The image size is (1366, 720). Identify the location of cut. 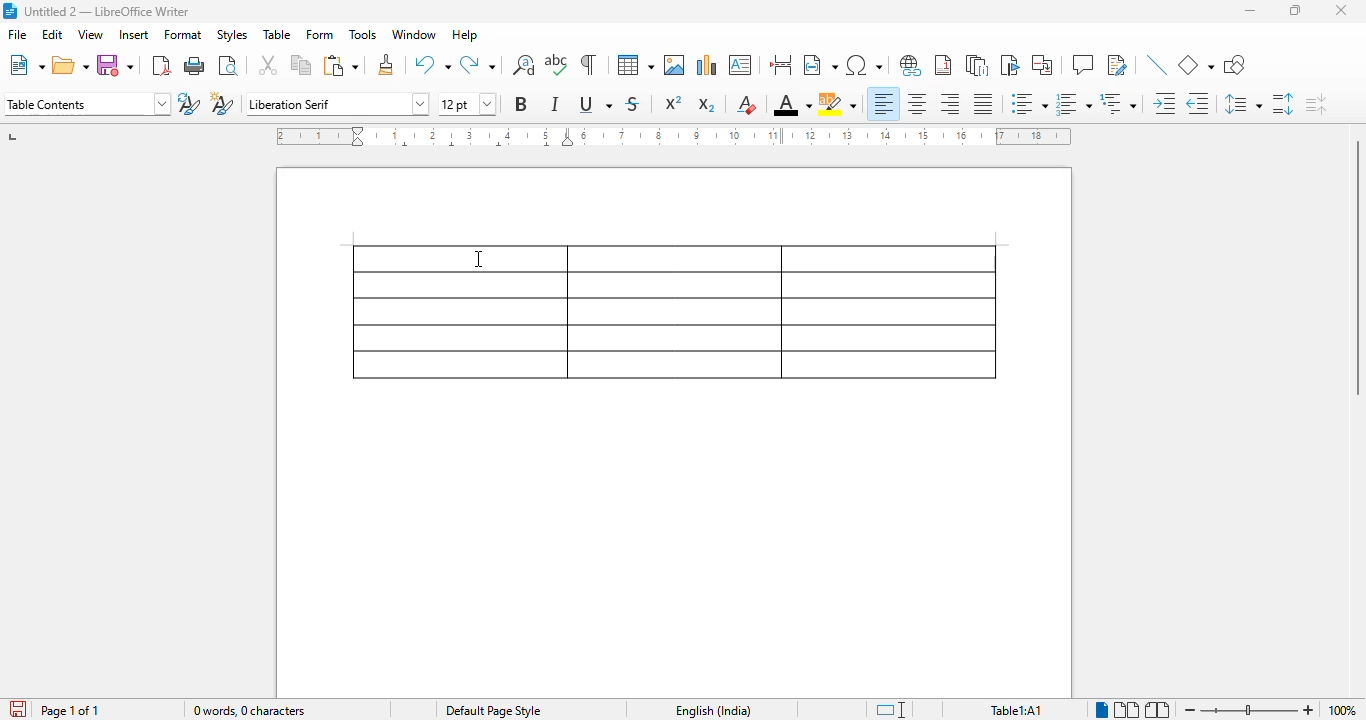
(267, 65).